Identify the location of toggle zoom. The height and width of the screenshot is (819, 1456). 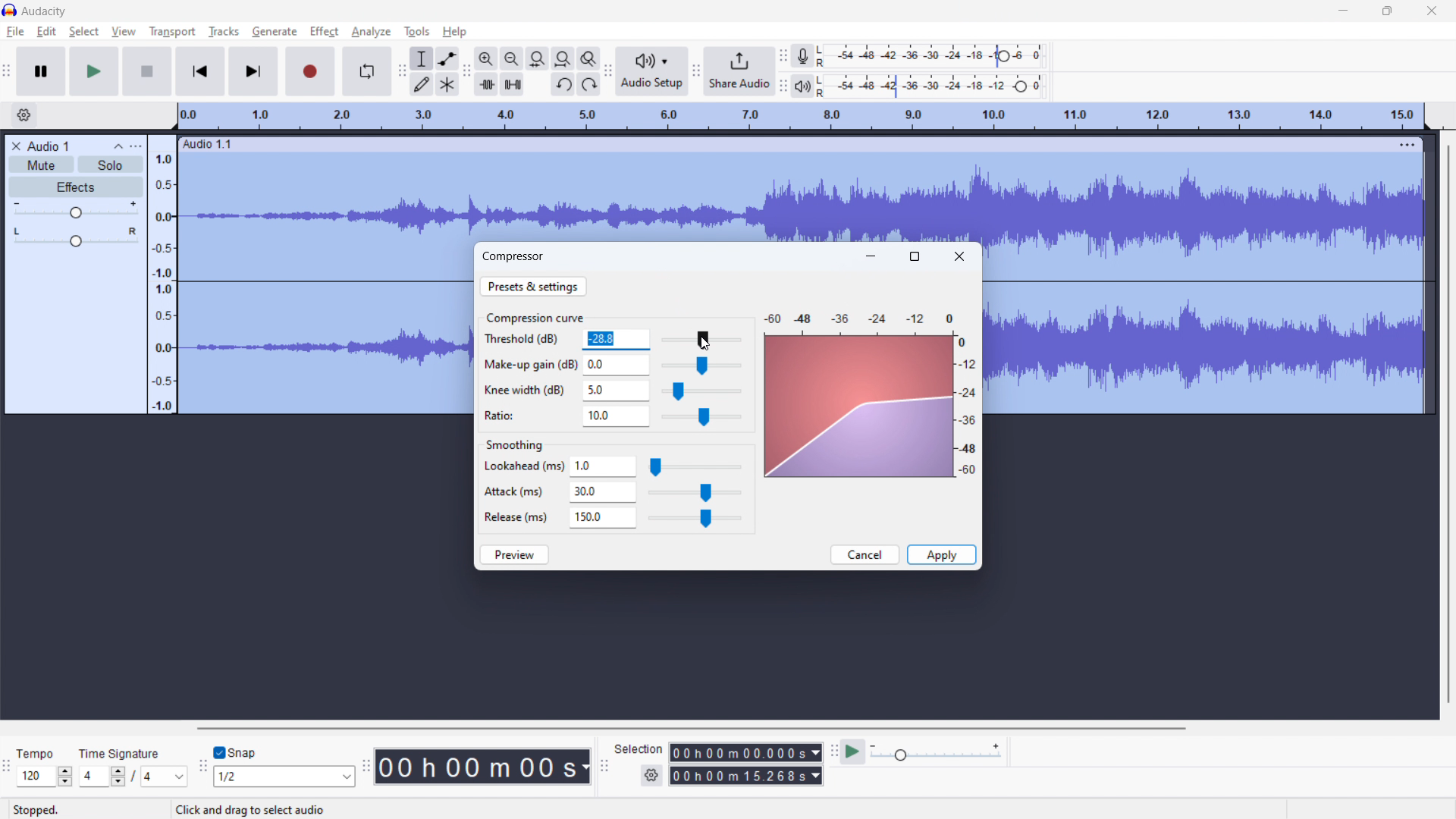
(589, 58).